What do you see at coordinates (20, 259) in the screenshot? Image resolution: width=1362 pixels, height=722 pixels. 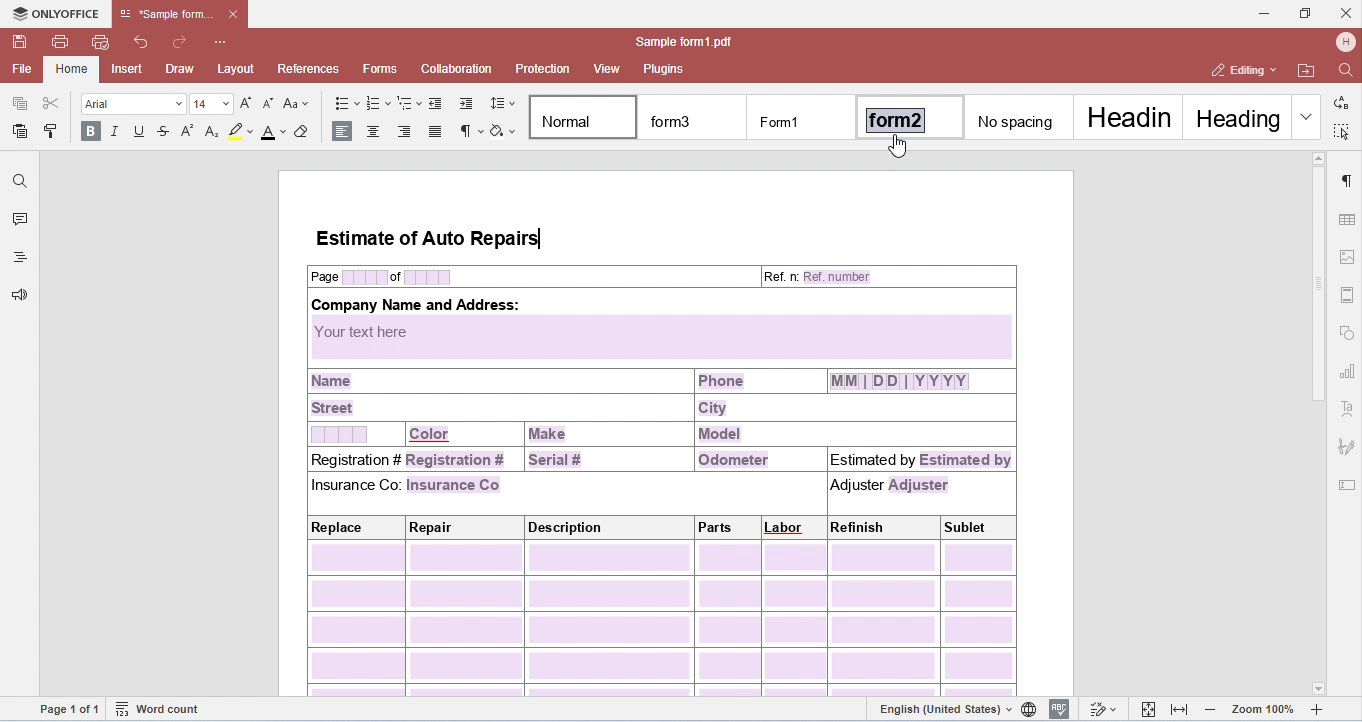 I see `headings` at bounding box center [20, 259].